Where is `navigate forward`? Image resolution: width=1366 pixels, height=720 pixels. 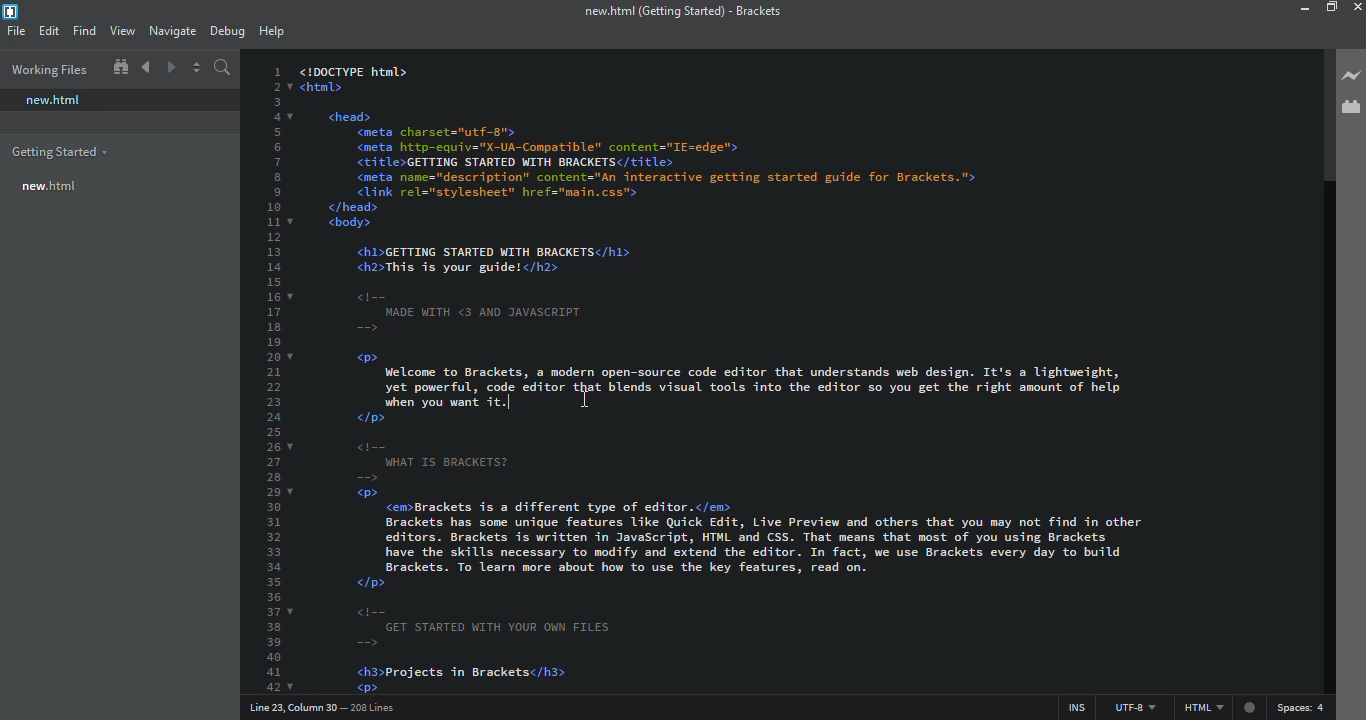 navigate forward is located at coordinates (173, 67).